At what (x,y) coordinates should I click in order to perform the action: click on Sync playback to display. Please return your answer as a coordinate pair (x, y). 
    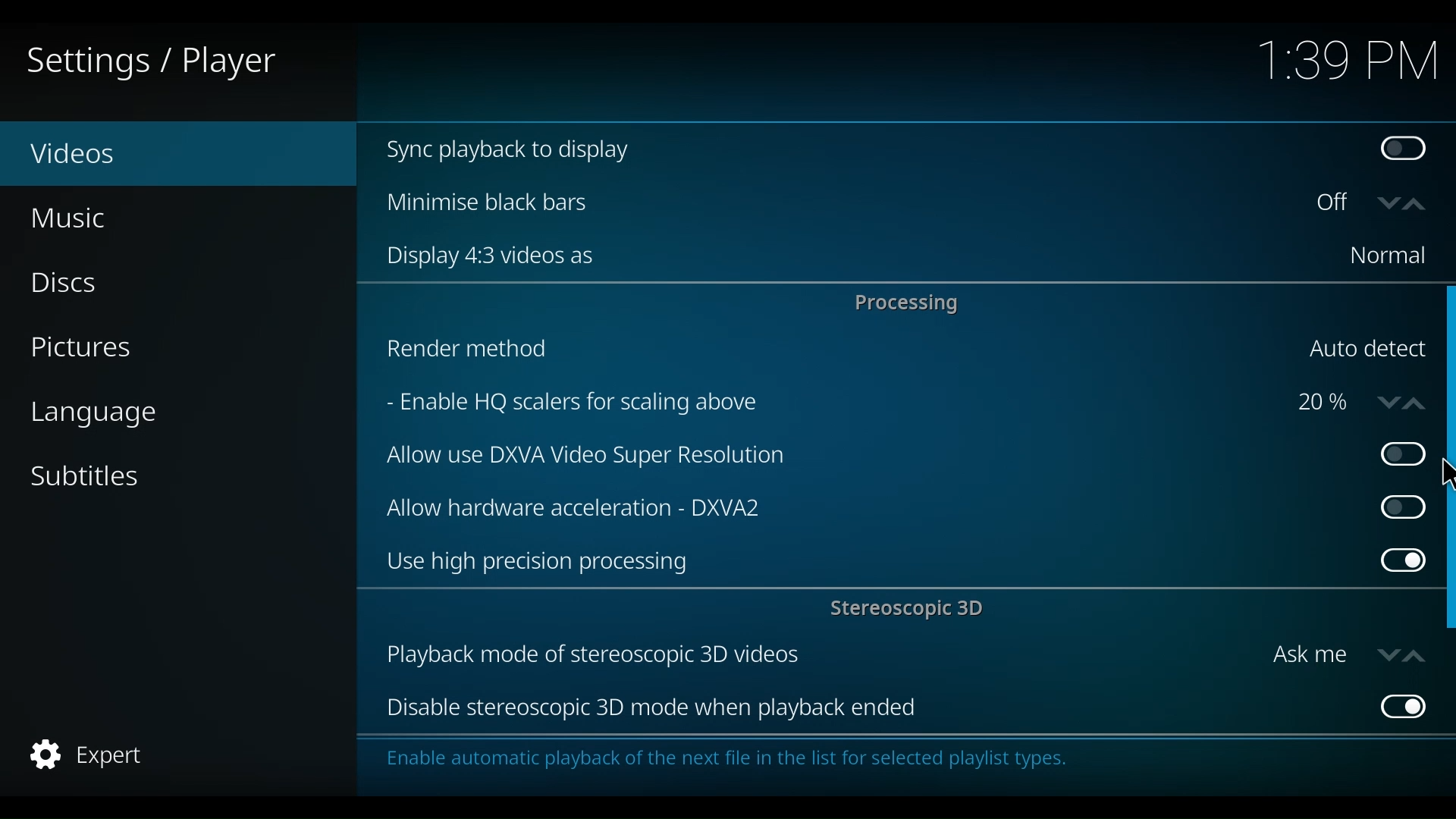
    Looking at the image, I should click on (858, 151).